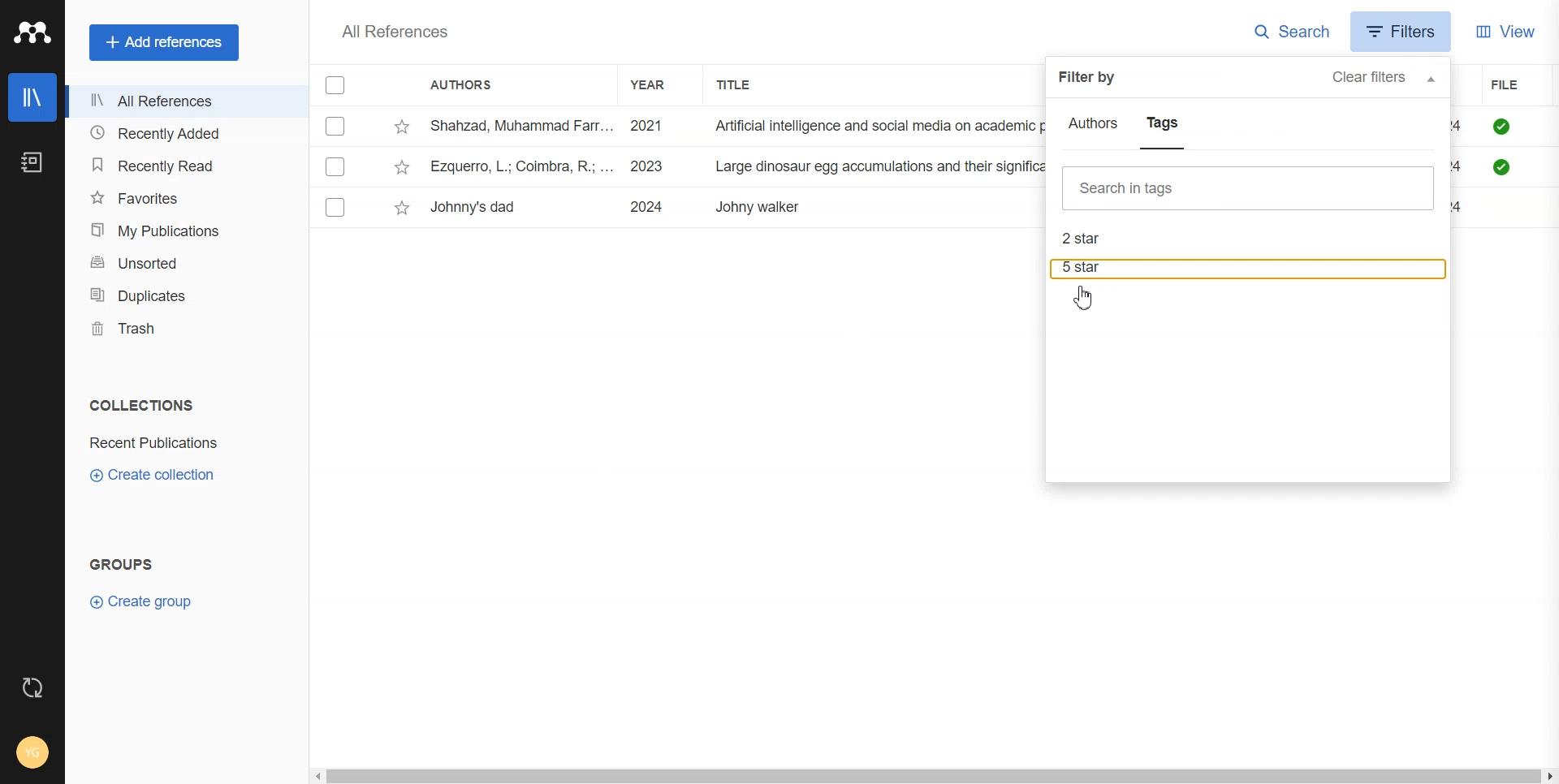  Describe the element at coordinates (122, 564) in the screenshot. I see `Text 2` at that location.